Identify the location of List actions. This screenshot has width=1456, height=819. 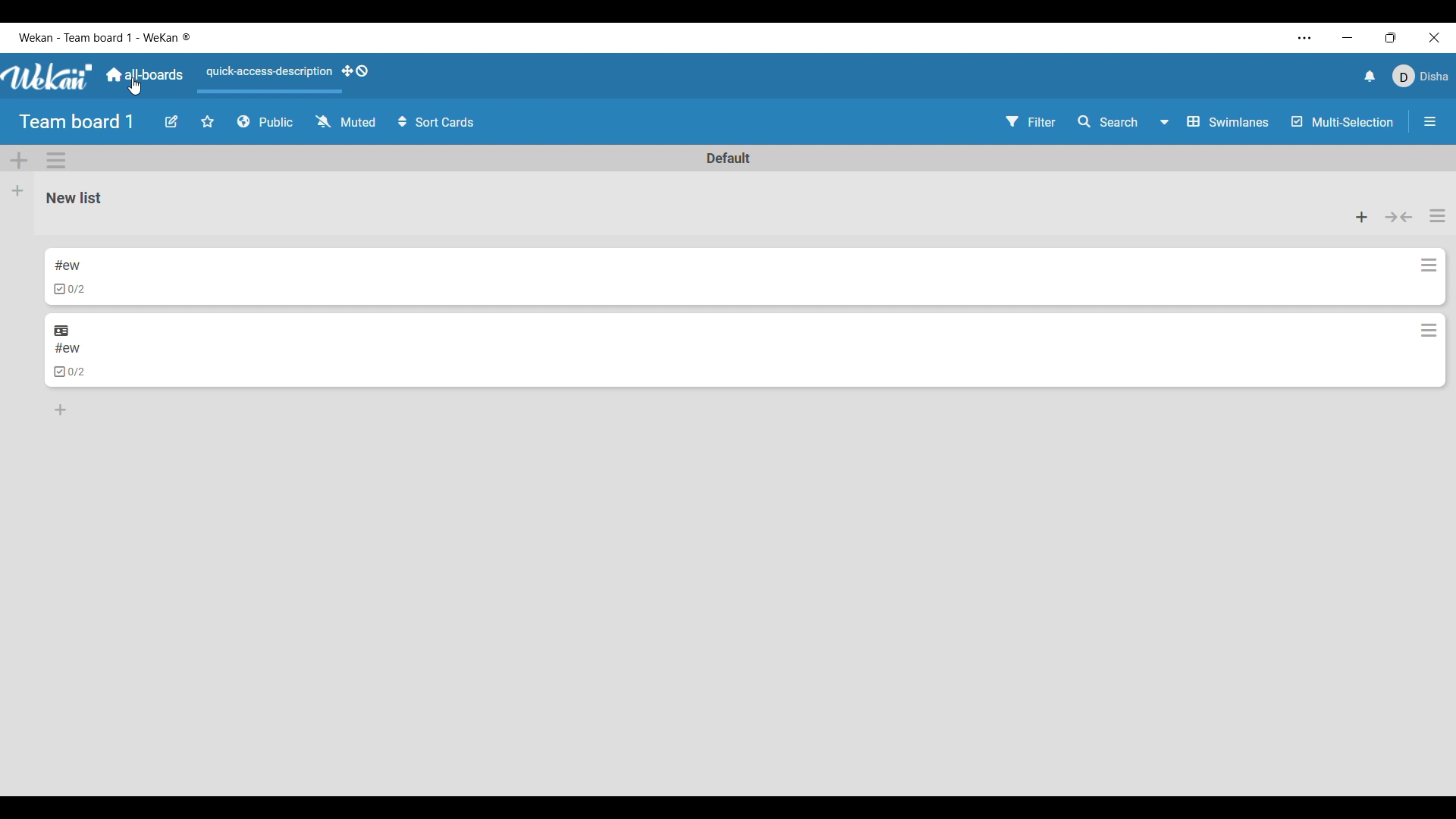
(1437, 216).